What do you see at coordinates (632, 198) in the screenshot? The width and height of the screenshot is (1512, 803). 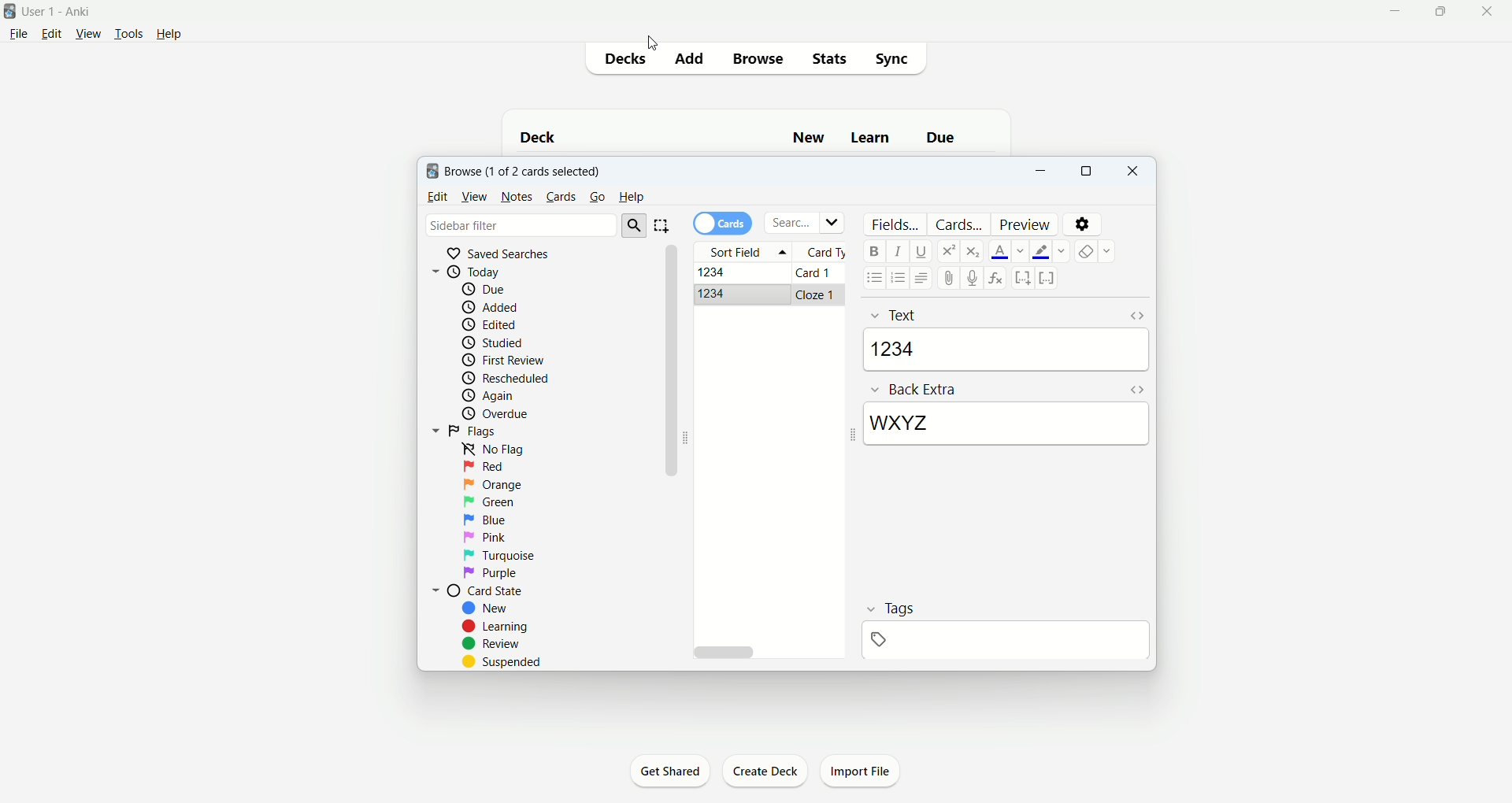 I see `help` at bounding box center [632, 198].